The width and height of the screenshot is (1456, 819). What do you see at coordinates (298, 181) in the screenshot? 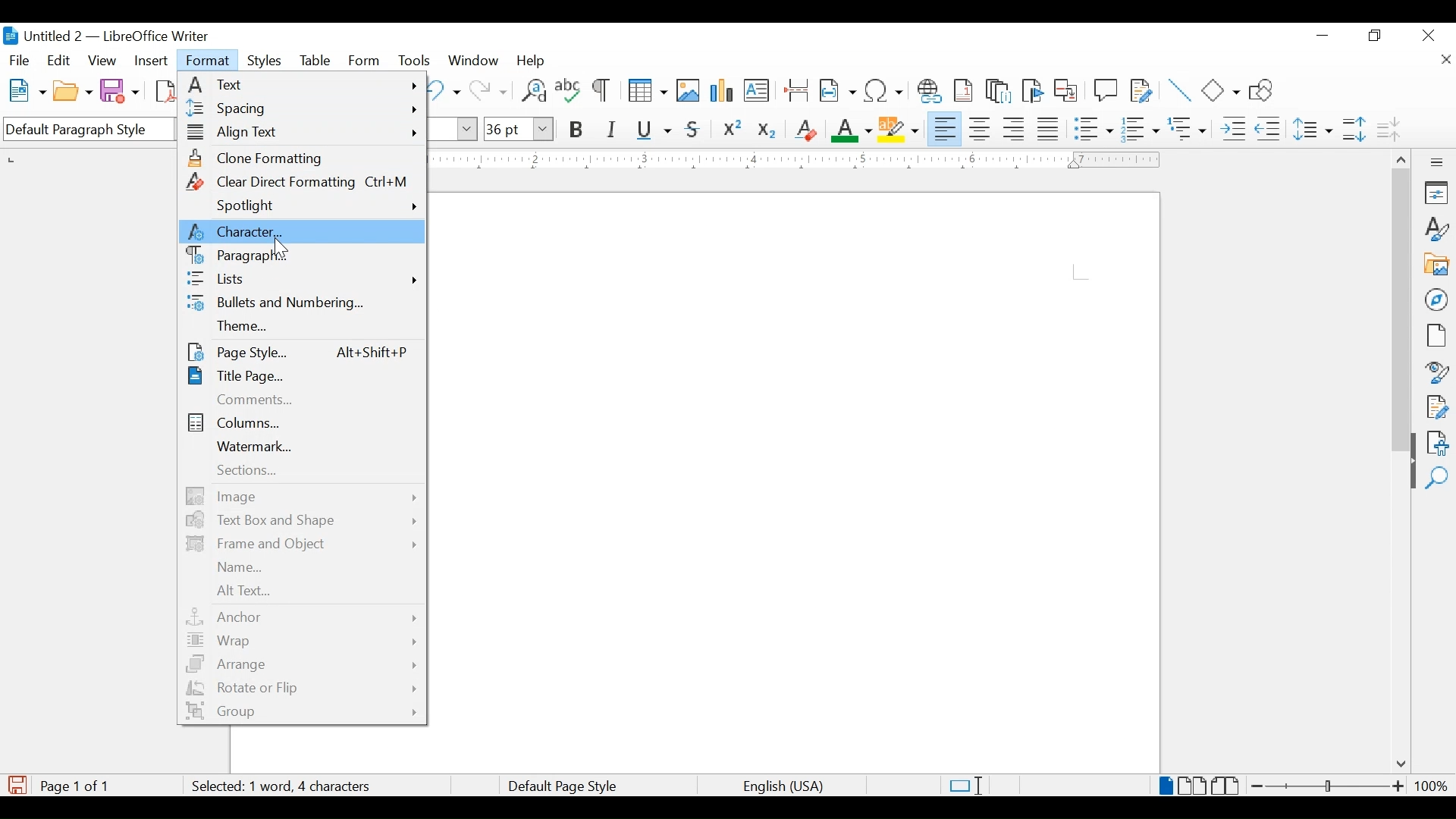
I see `clear direct formatting` at bounding box center [298, 181].